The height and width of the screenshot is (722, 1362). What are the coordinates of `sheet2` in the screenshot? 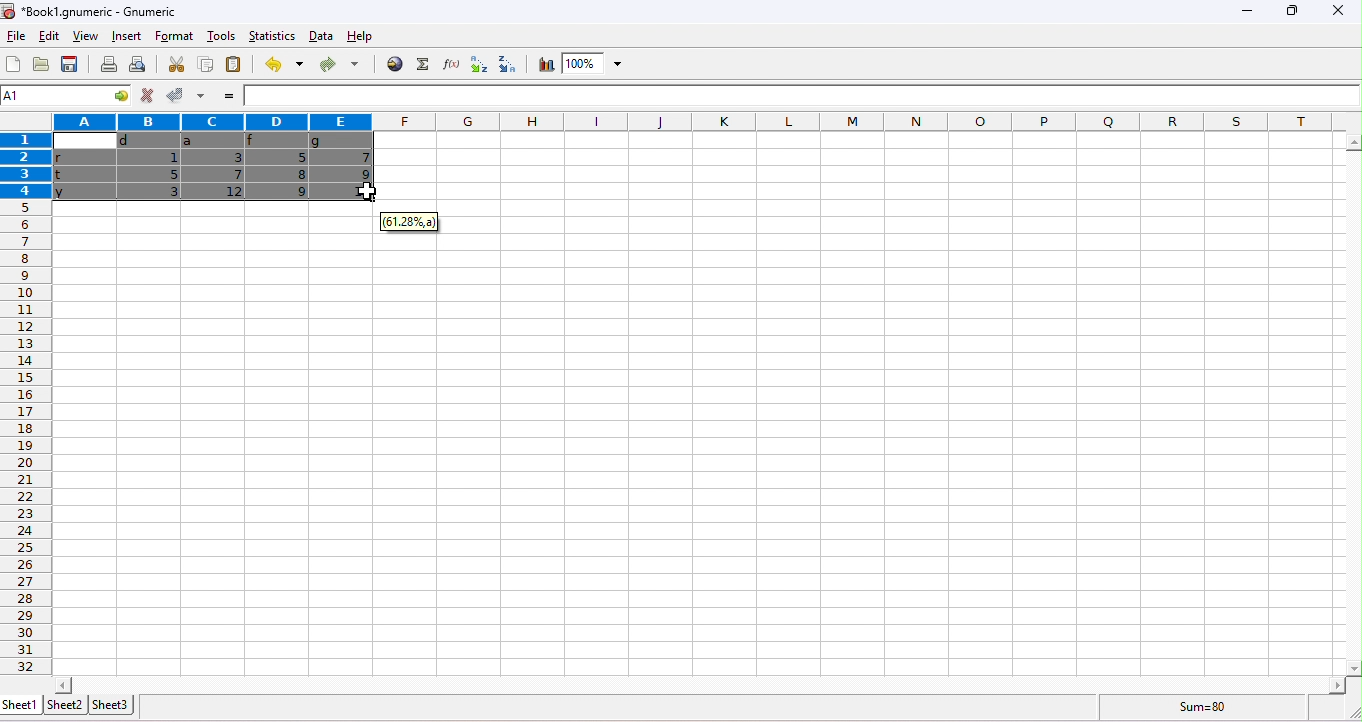 It's located at (65, 705).